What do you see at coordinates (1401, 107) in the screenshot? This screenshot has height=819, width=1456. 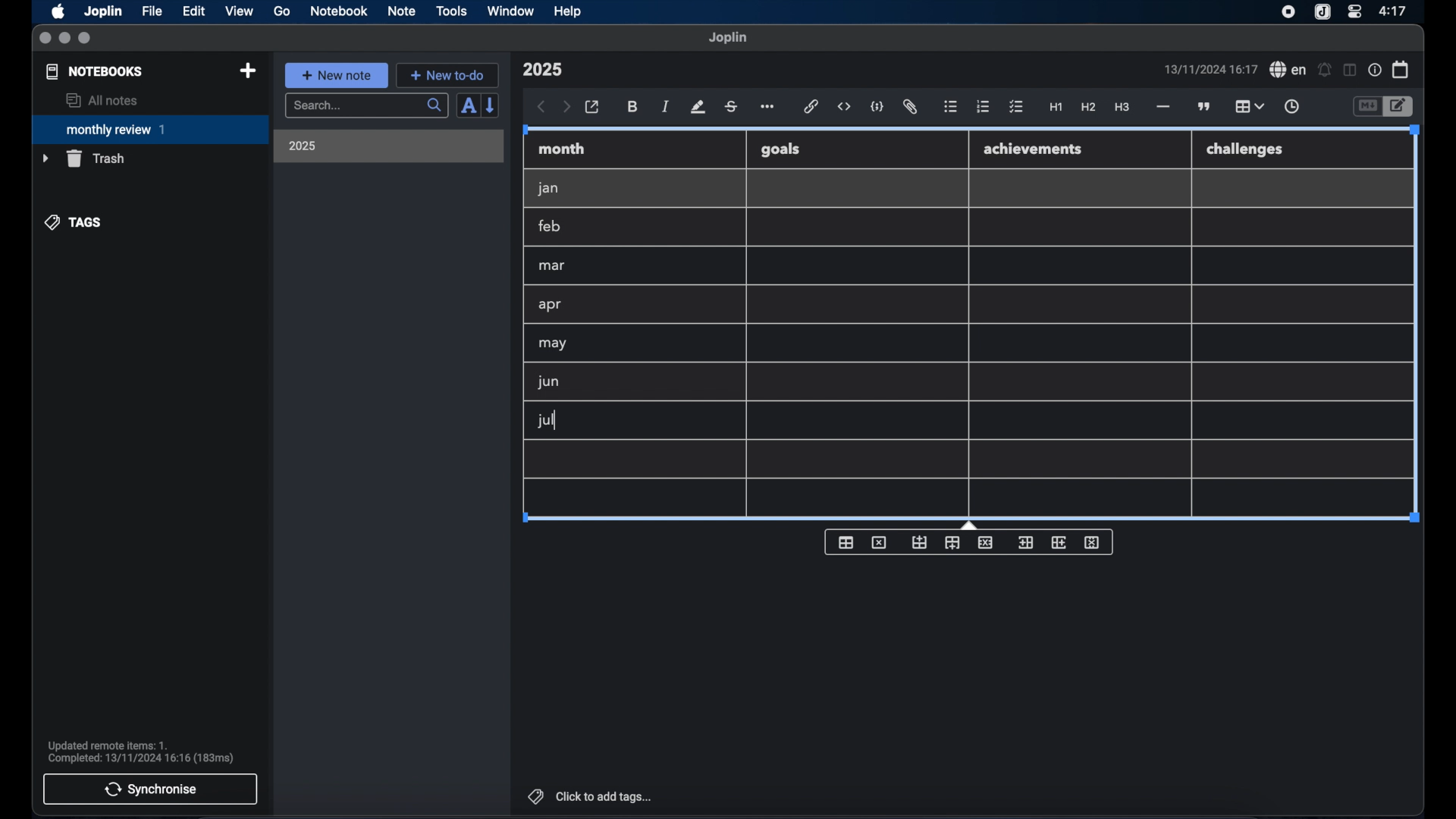 I see `toggle editor` at bounding box center [1401, 107].